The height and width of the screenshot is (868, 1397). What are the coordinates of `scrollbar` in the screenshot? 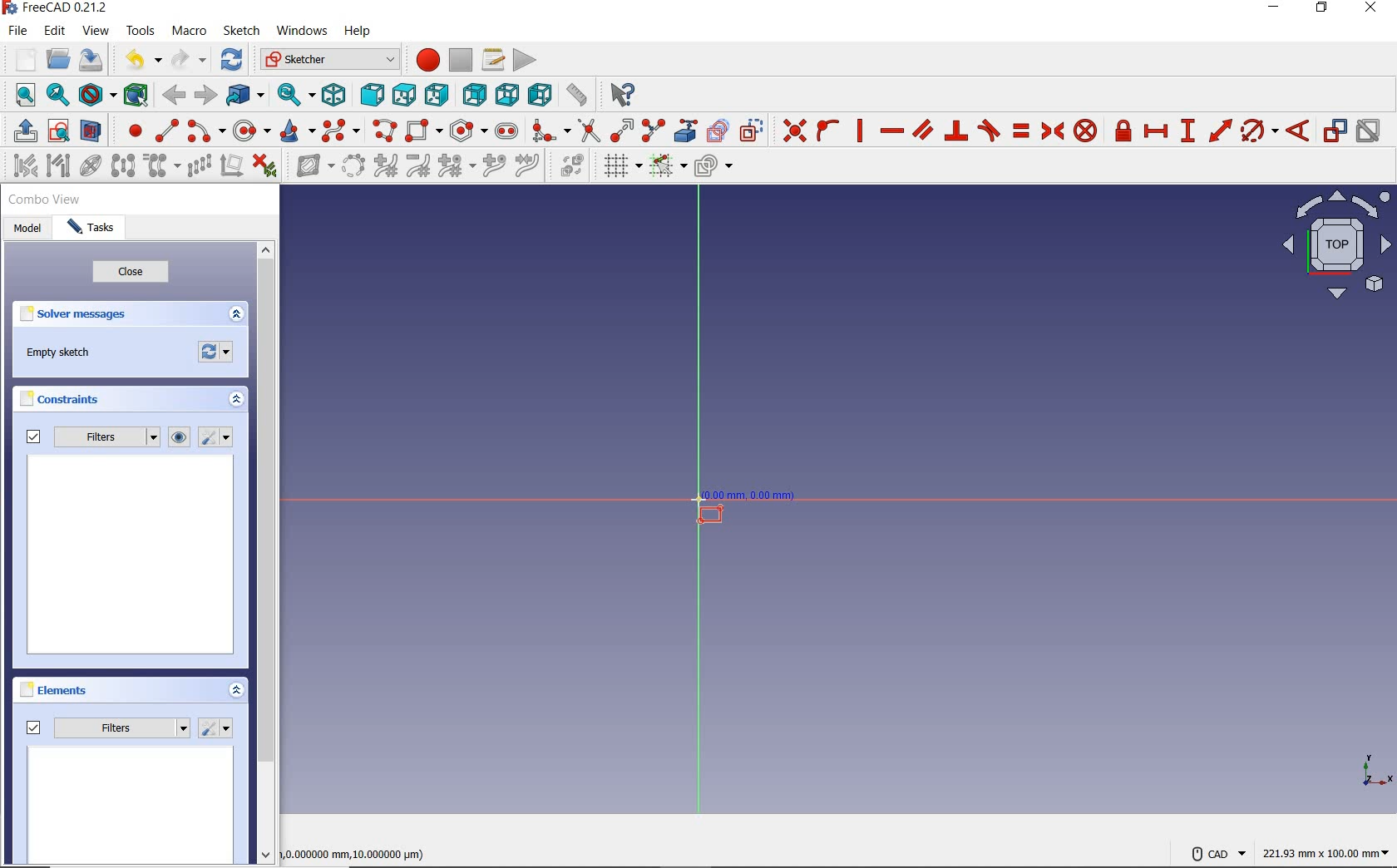 It's located at (266, 555).